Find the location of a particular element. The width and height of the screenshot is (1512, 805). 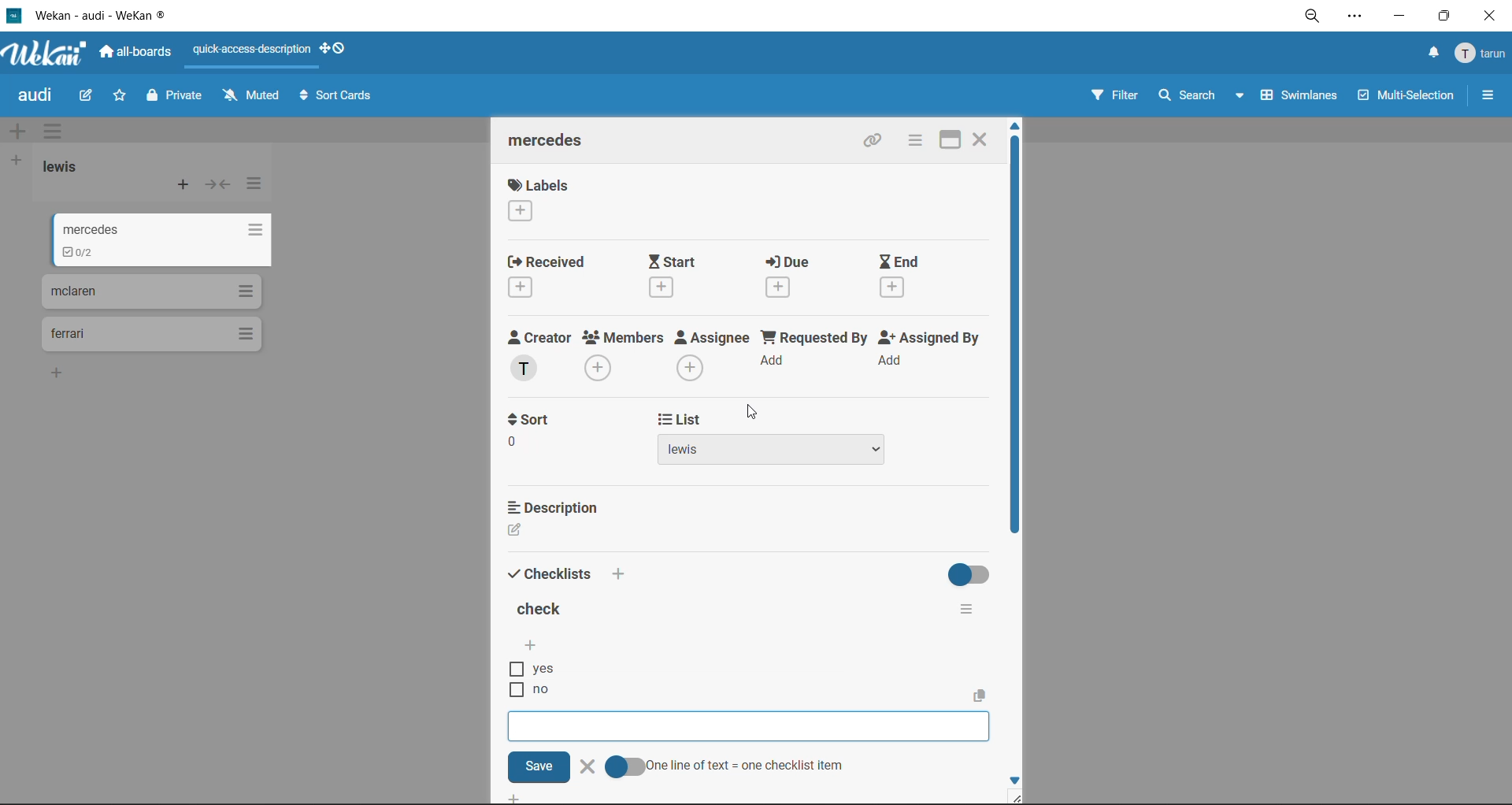

minimize is located at coordinates (1399, 19).